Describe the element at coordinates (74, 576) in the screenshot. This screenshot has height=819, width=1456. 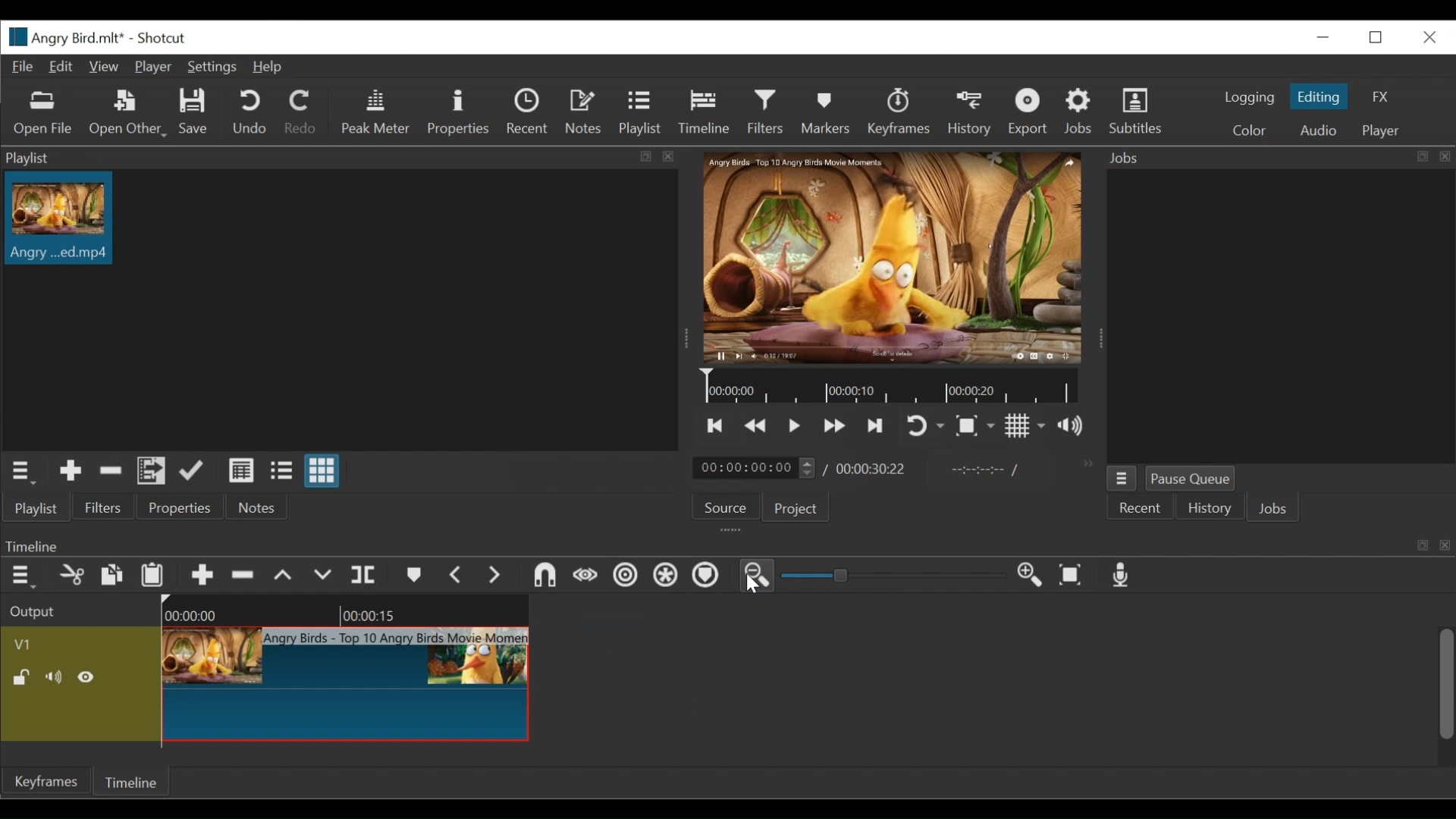
I see `cut` at that location.